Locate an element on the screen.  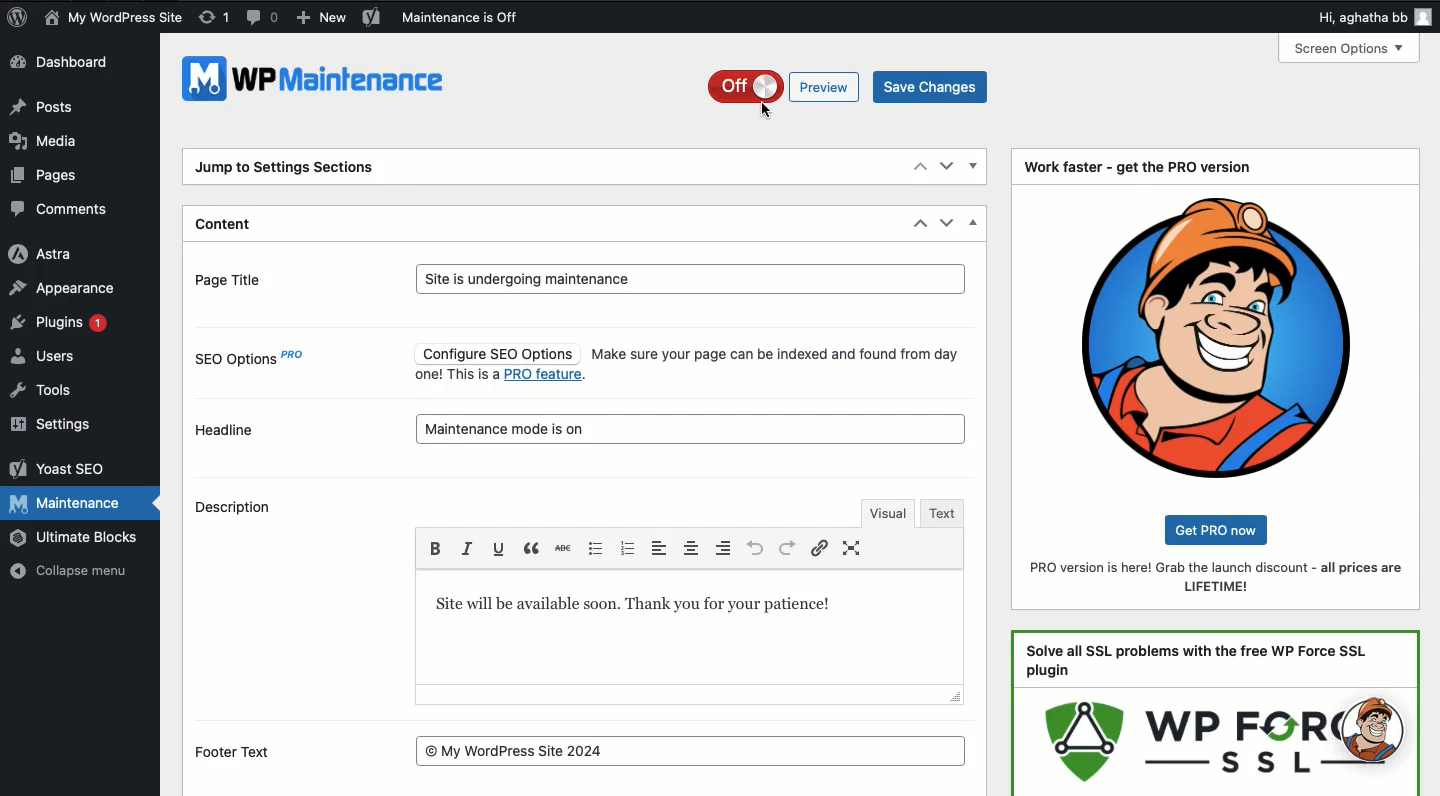
Hide is located at coordinates (975, 221).